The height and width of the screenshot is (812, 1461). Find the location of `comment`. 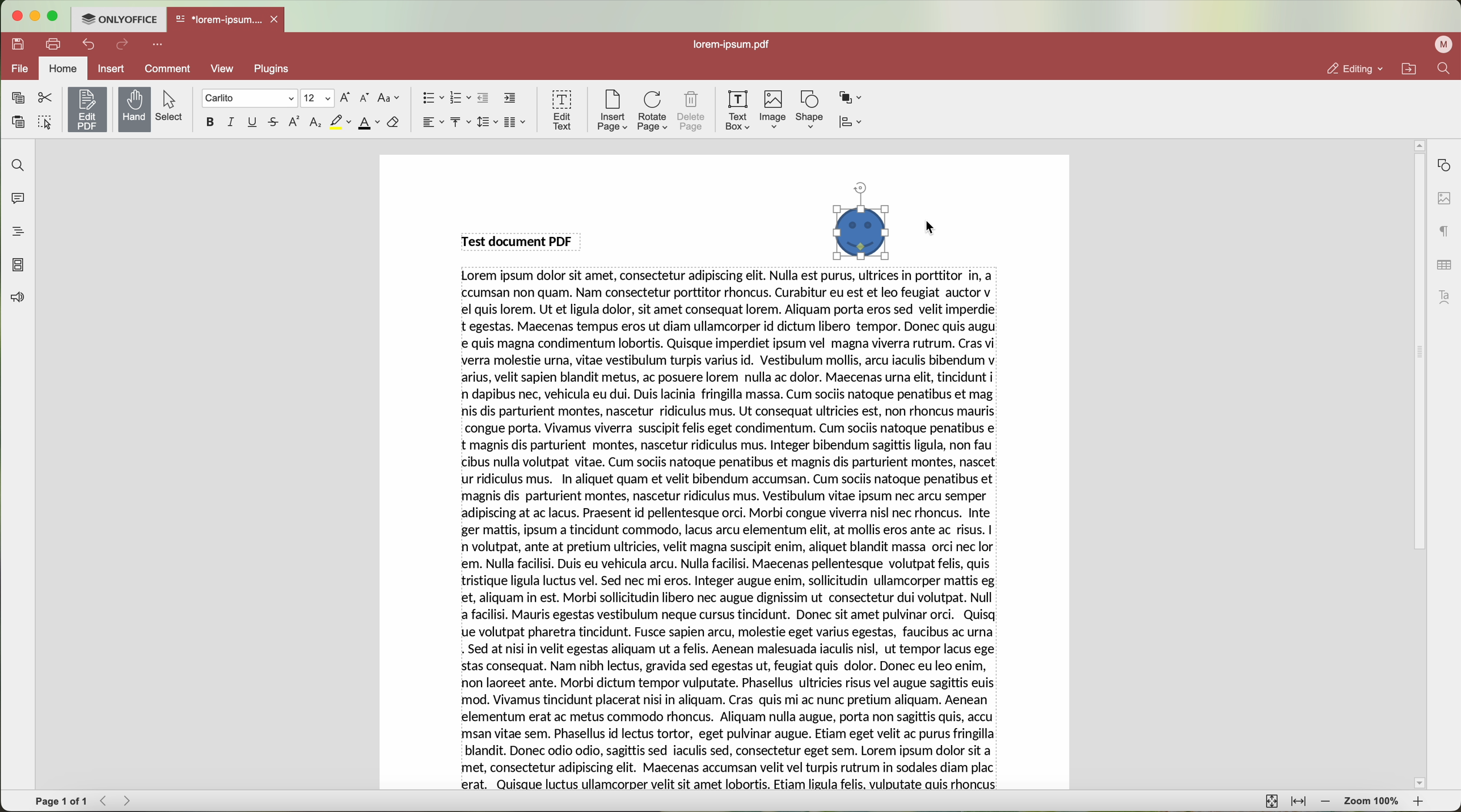

comment is located at coordinates (166, 69).